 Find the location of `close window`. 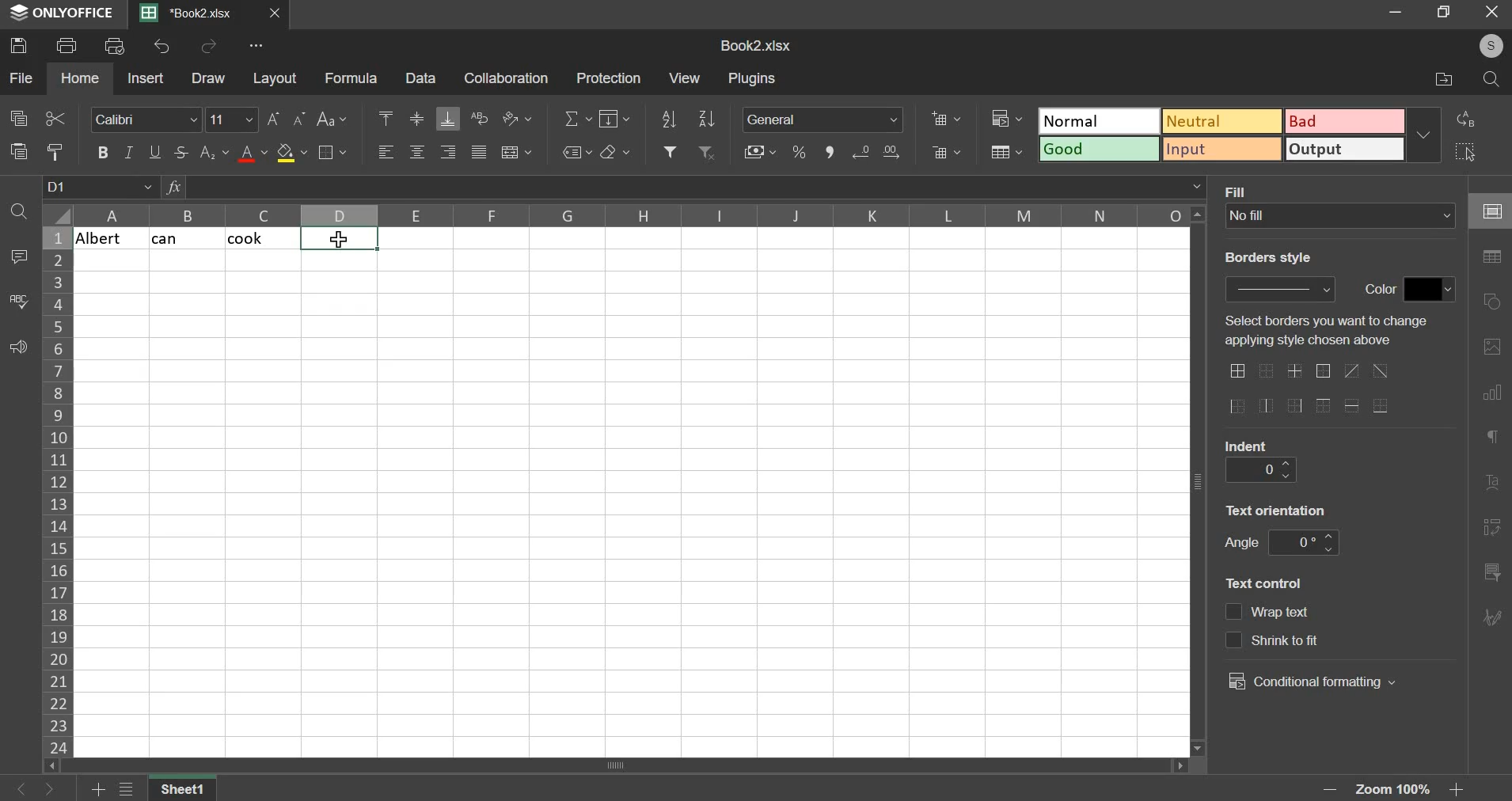

close window is located at coordinates (1491, 13).